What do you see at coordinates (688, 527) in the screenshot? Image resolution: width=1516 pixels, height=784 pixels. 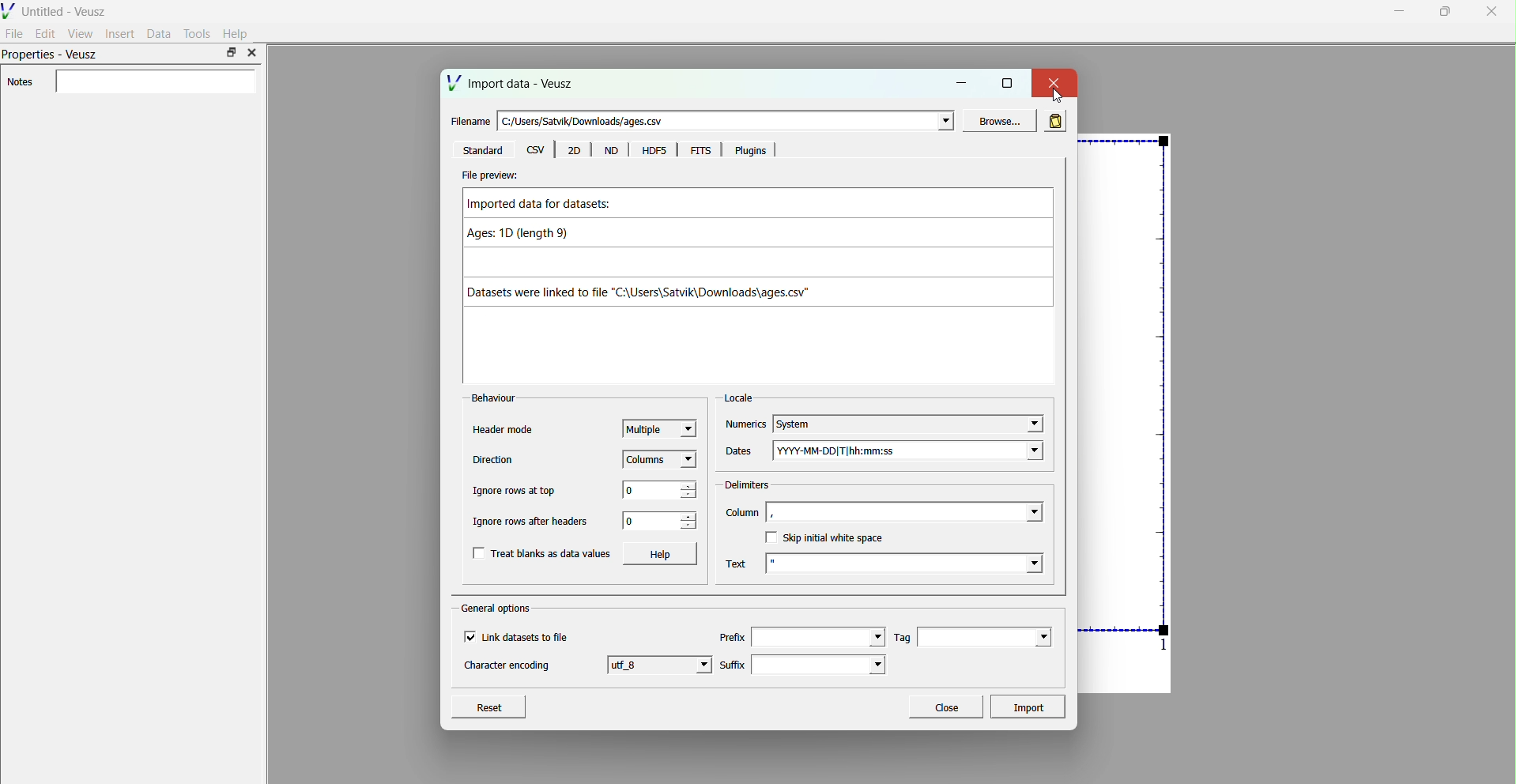 I see `decrease` at bounding box center [688, 527].